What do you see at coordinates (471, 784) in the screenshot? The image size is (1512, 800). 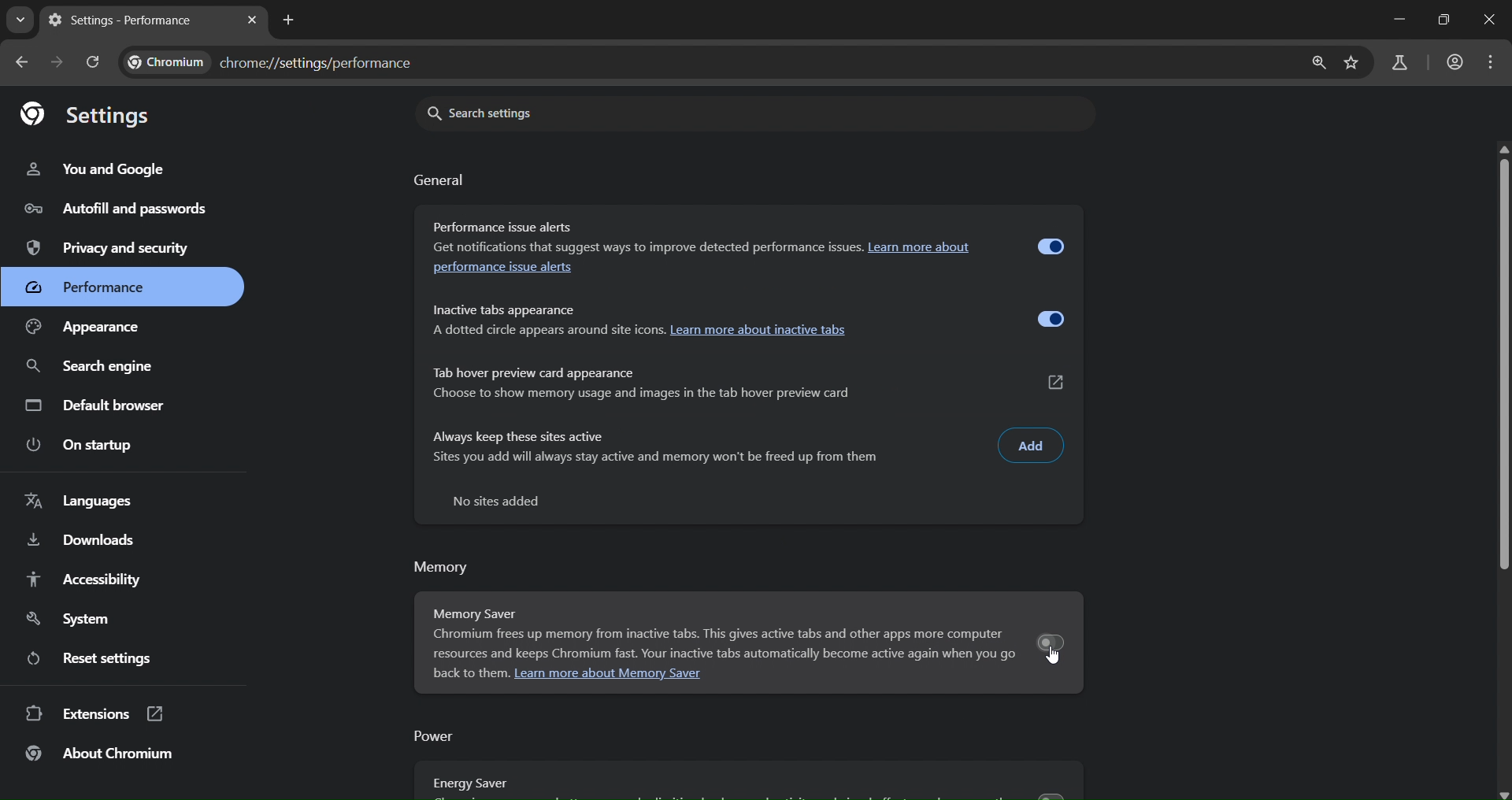 I see `energy saver` at bounding box center [471, 784].